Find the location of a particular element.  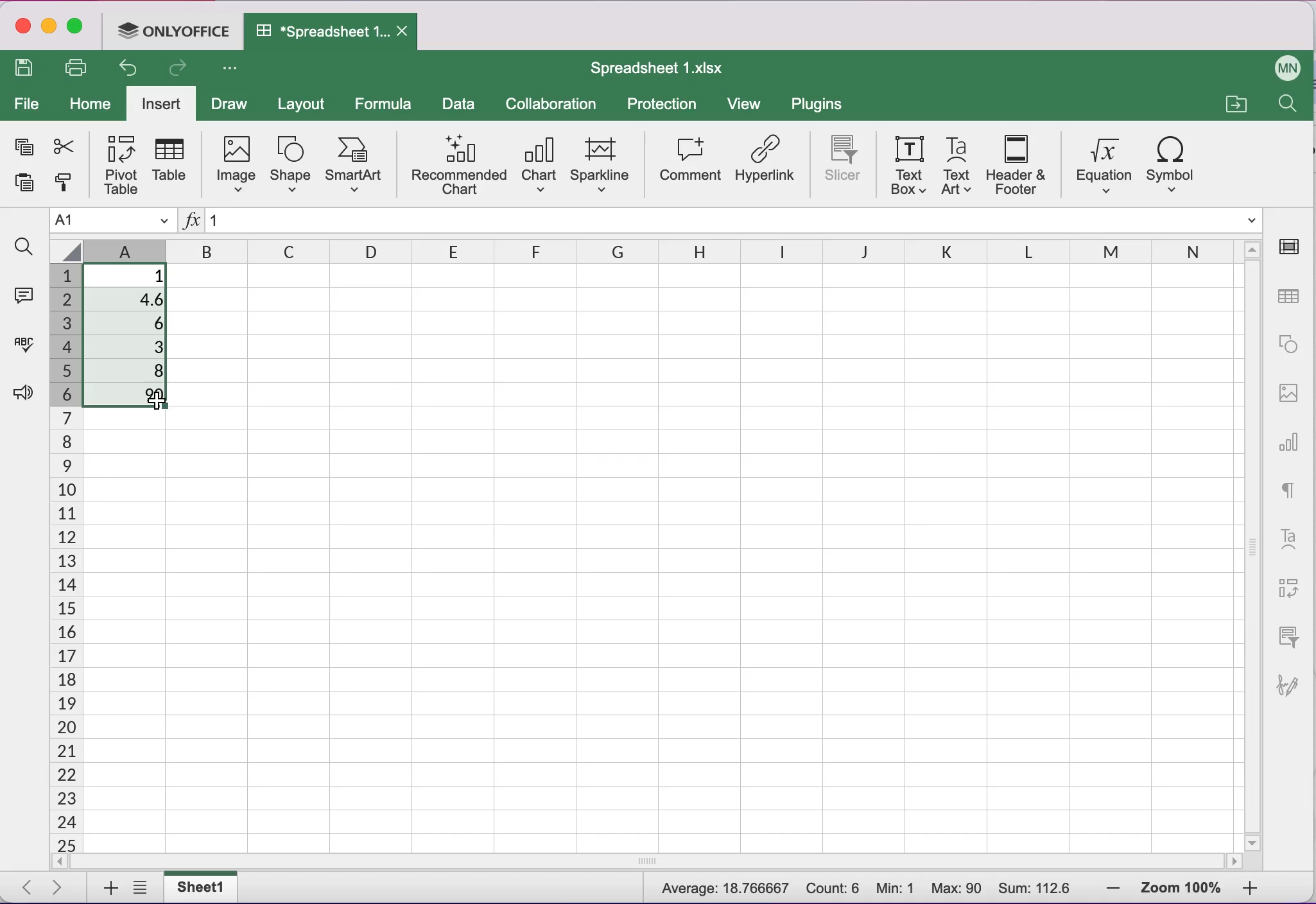

close is located at coordinates (22, 31).